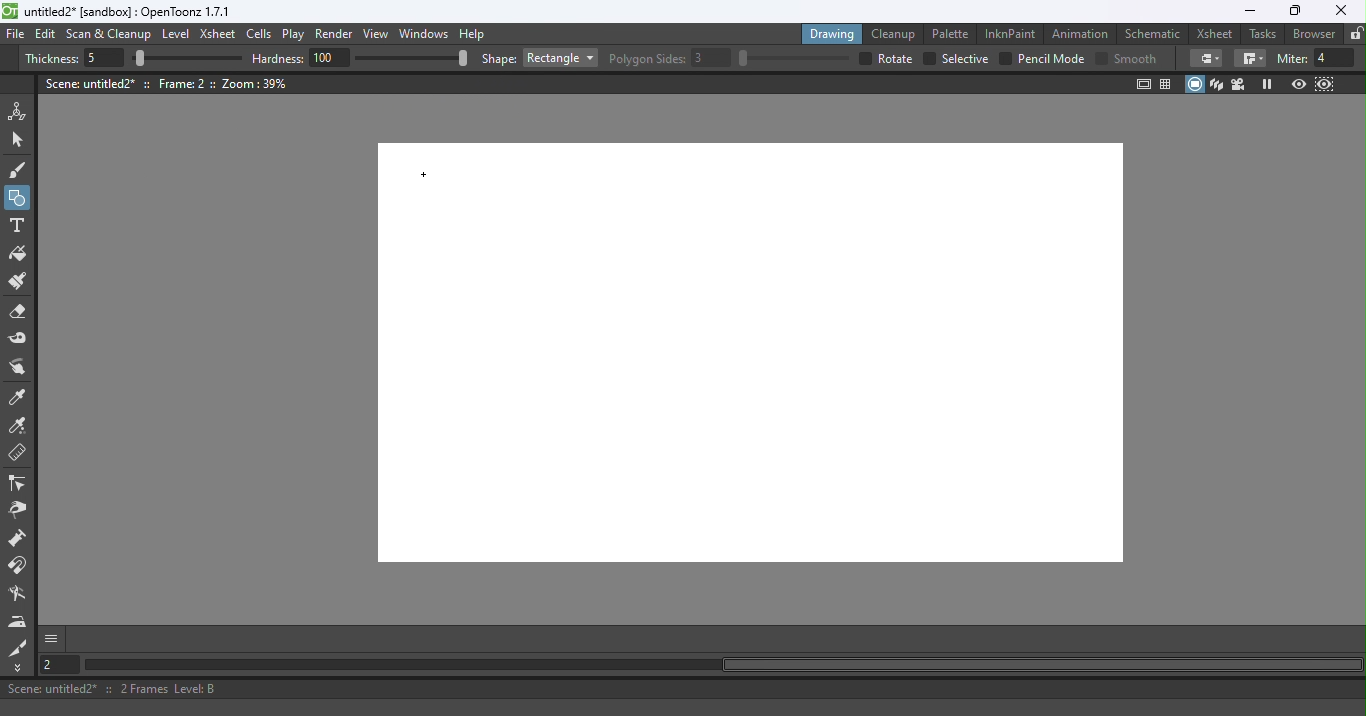 The width and height of the screenshot is (1366, 716). What do you see at coordinates (17, 513) in the screenshot?
I see `Pinch tool` at bounding box center [17, 513].